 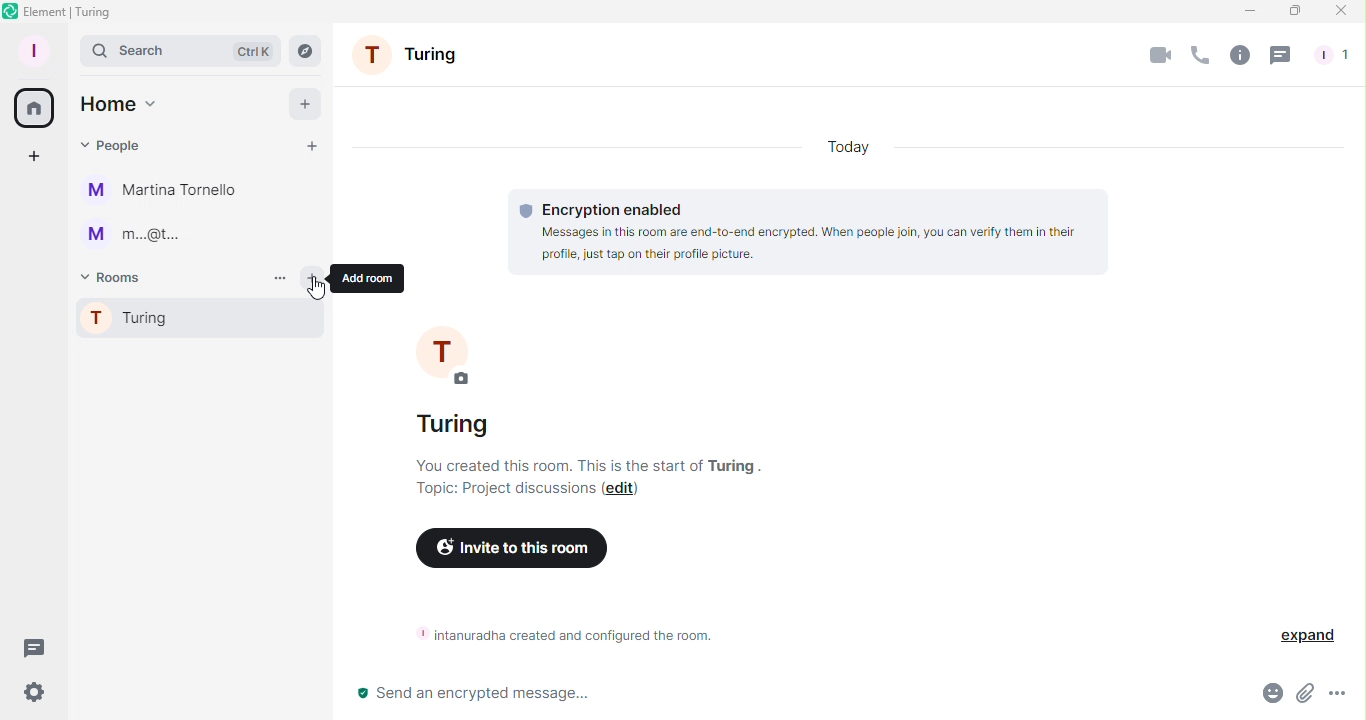 I want to click on Today, so click(x=851, y=142).